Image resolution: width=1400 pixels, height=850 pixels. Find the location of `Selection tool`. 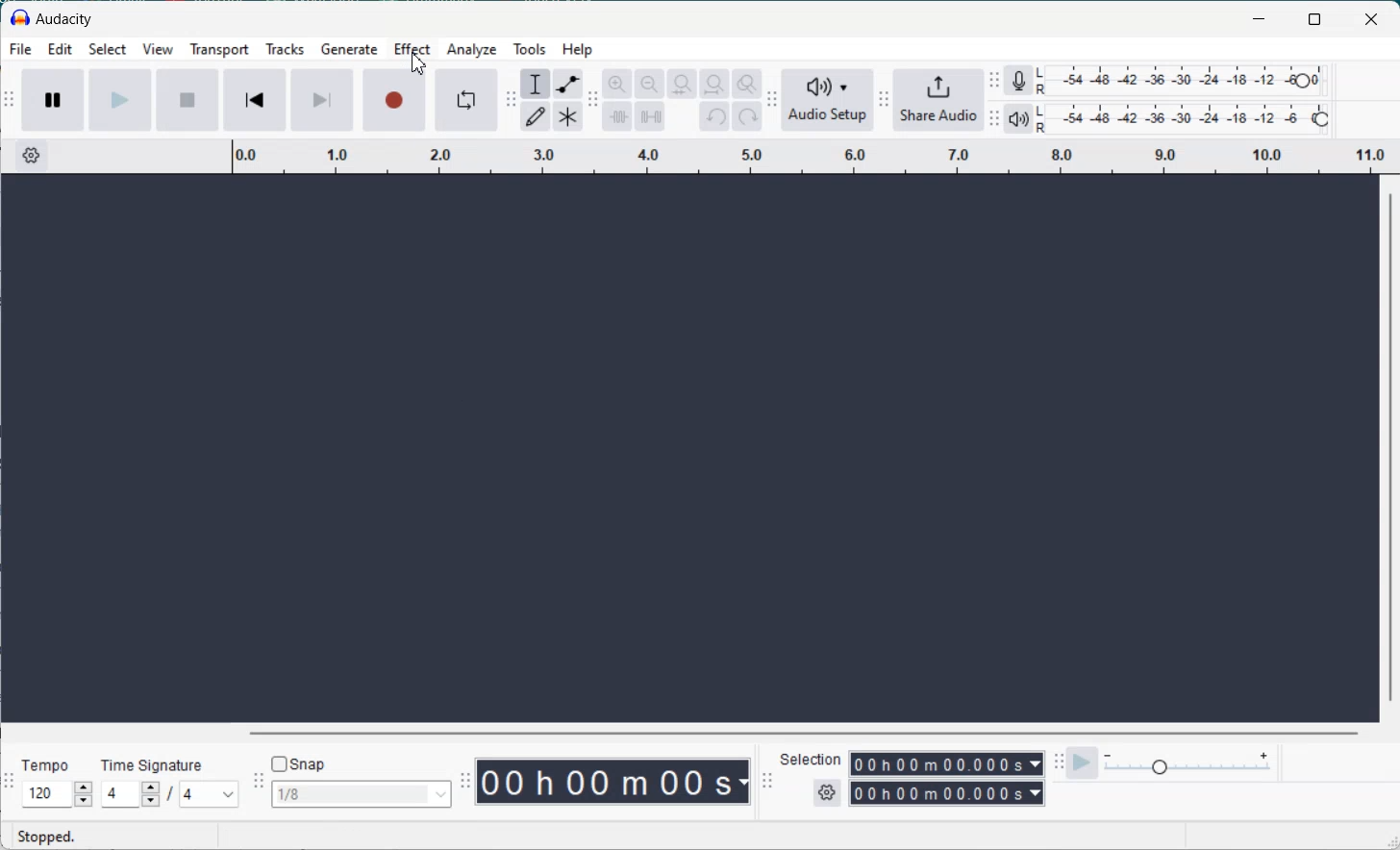

Selection tool is located at coordinates (534, 84).